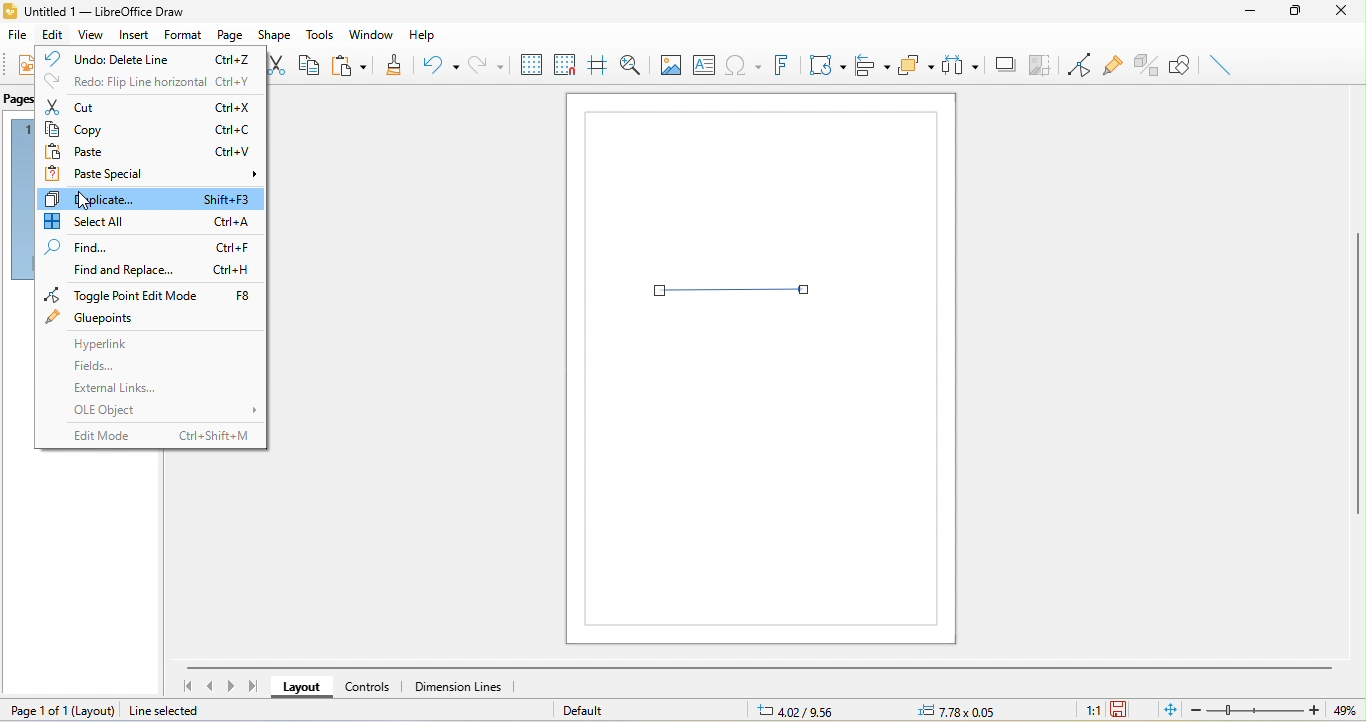 This screenshot has width=1366, height=722. What do you see at coordinates (1087, 711) in the screenshot?
I see `1:1` at bounding box center [1087, 711].